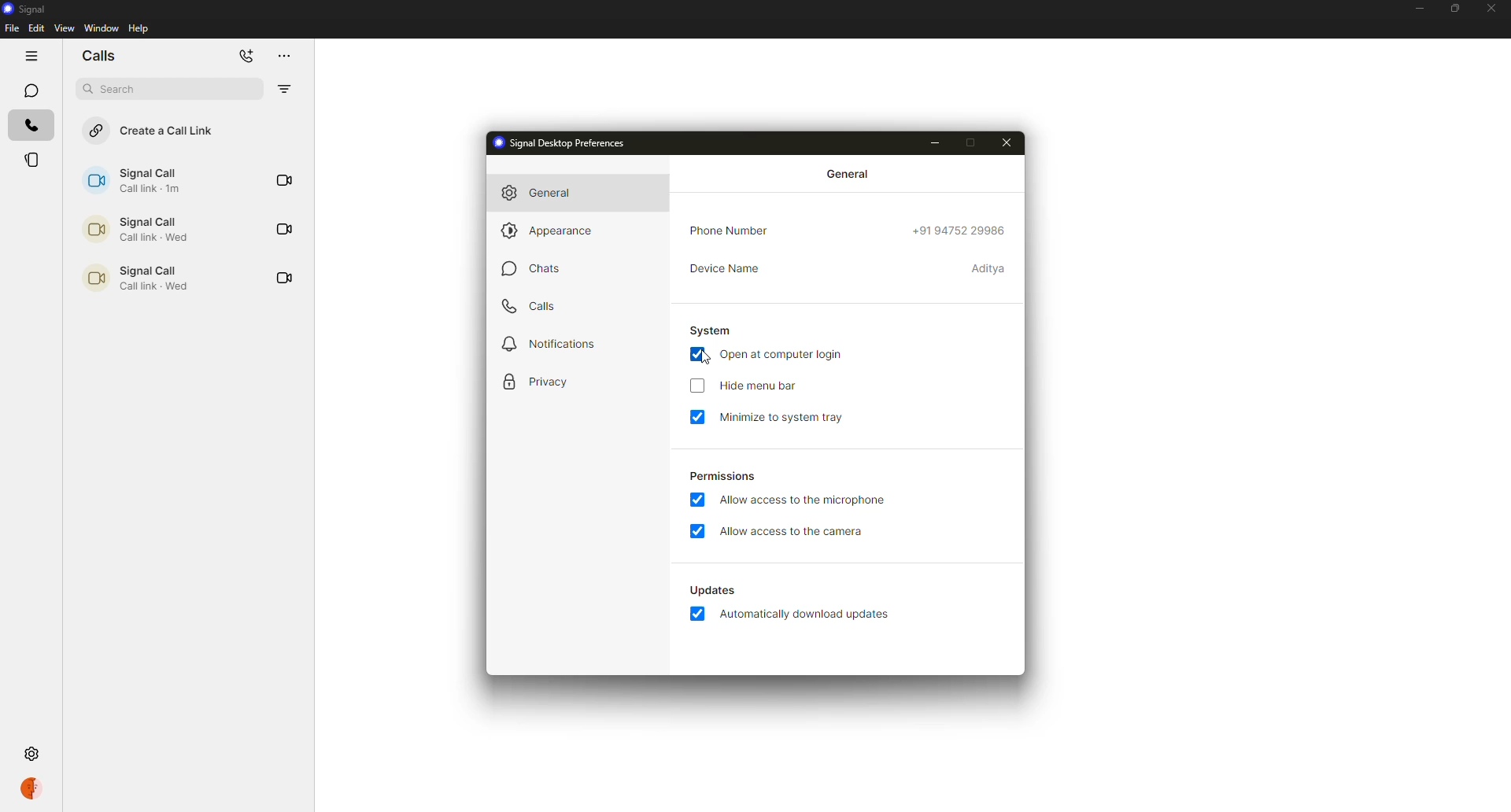 The width and height of the screenshot is (1511, 812). I want to click on signal desktop preferences, so click(563, 142).